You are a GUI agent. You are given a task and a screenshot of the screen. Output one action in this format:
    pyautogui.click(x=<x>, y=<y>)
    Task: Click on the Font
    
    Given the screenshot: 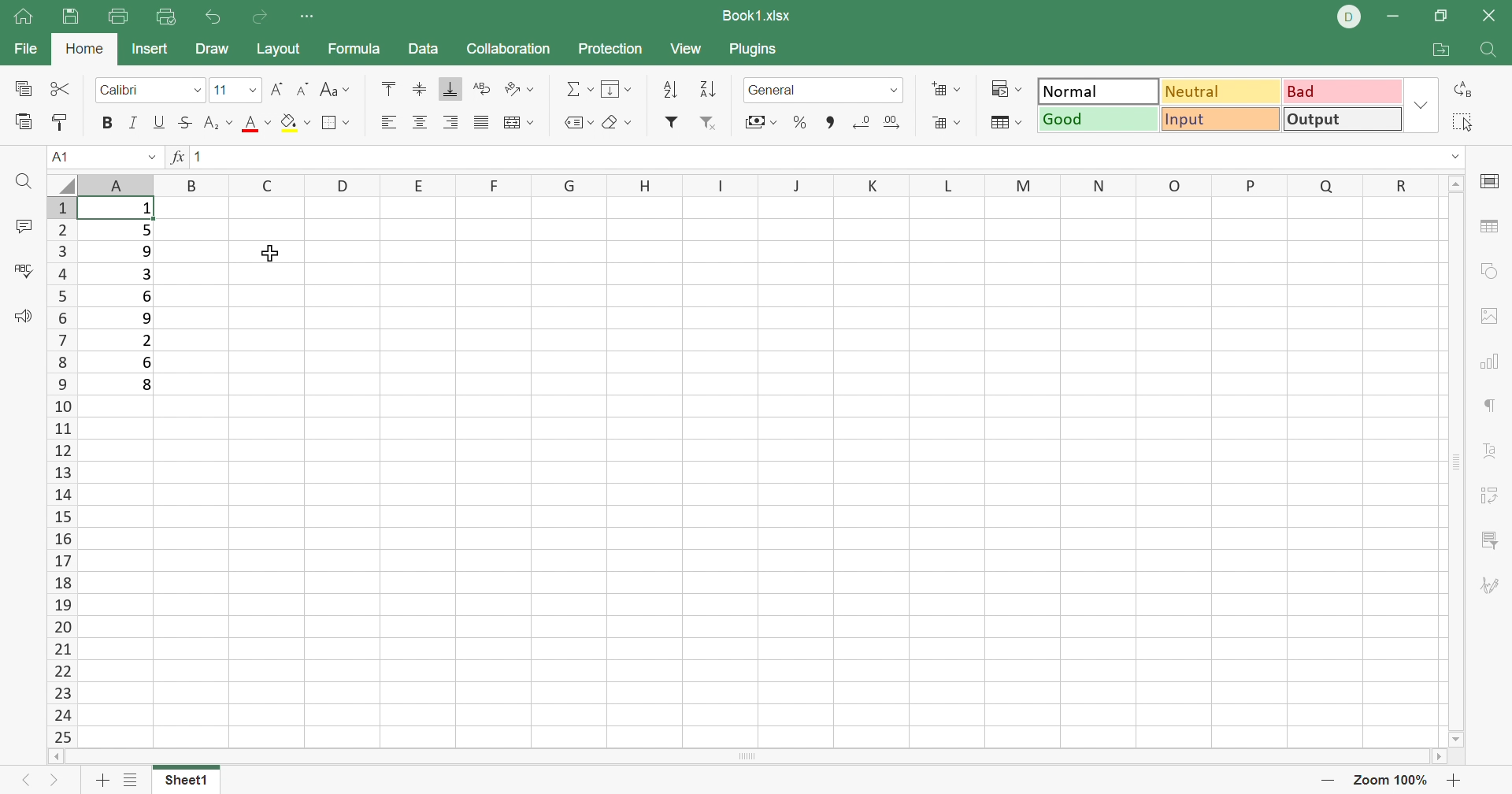 What is the action you would take?
    pyautogui.click(x=152, y=88)
    